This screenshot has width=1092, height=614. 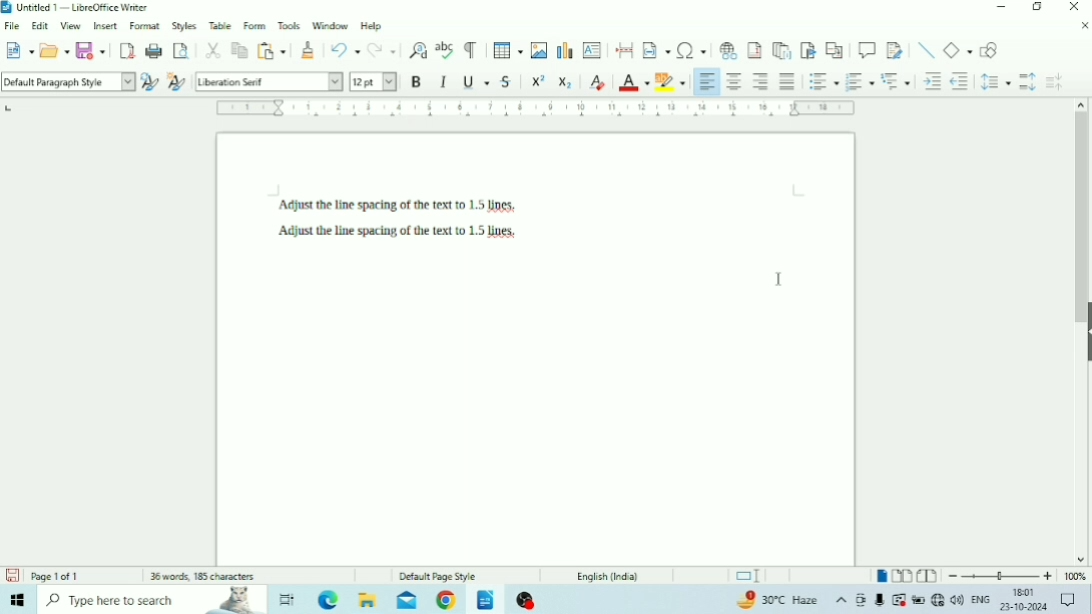 What do you see at coordinates (593, 50) in the screenshot?
I see `Insert Text Box` at bounding box center [593, 50].